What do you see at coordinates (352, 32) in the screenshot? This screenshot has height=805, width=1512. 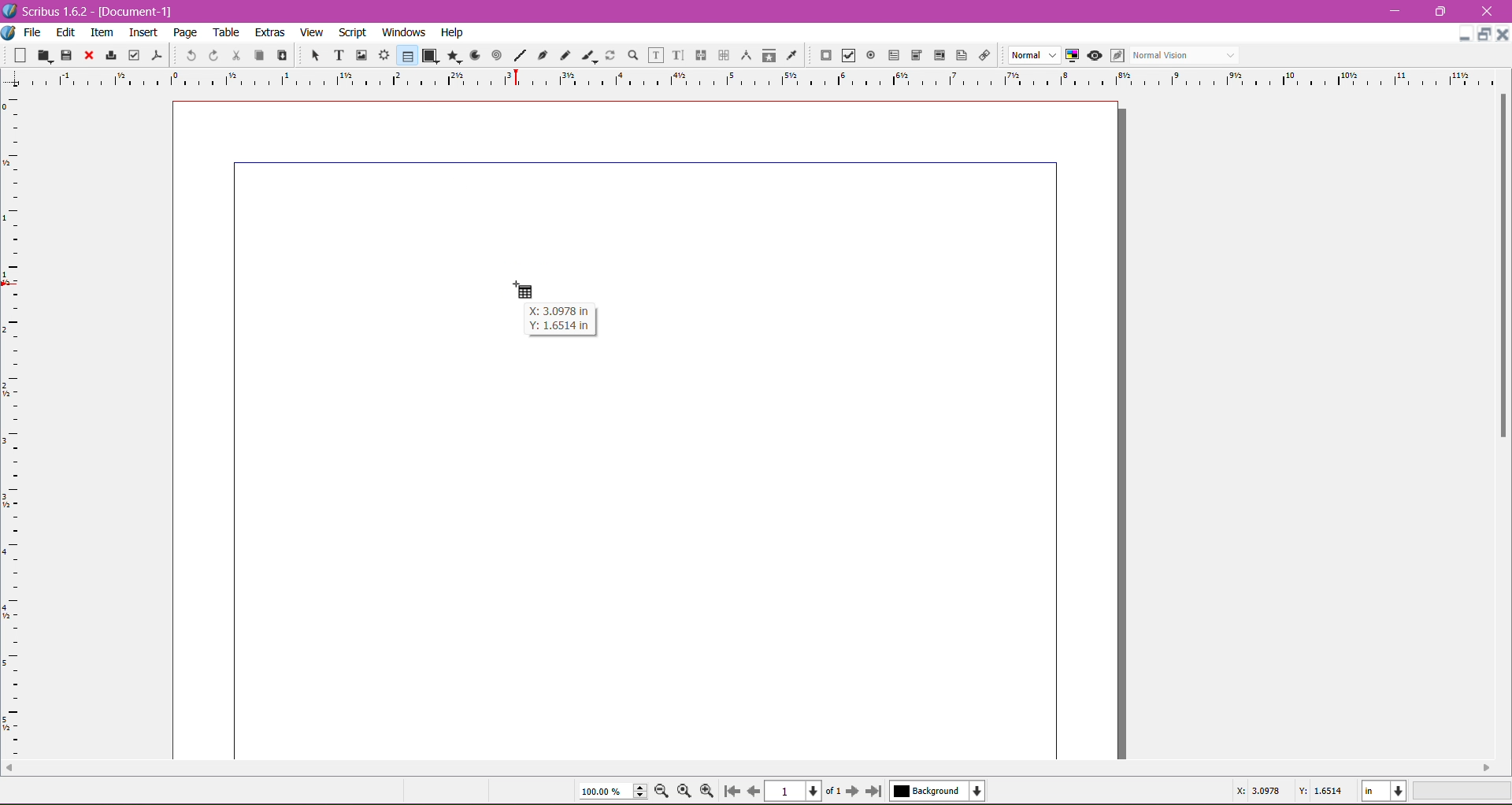 I see `` at bounding box center [352, 32].